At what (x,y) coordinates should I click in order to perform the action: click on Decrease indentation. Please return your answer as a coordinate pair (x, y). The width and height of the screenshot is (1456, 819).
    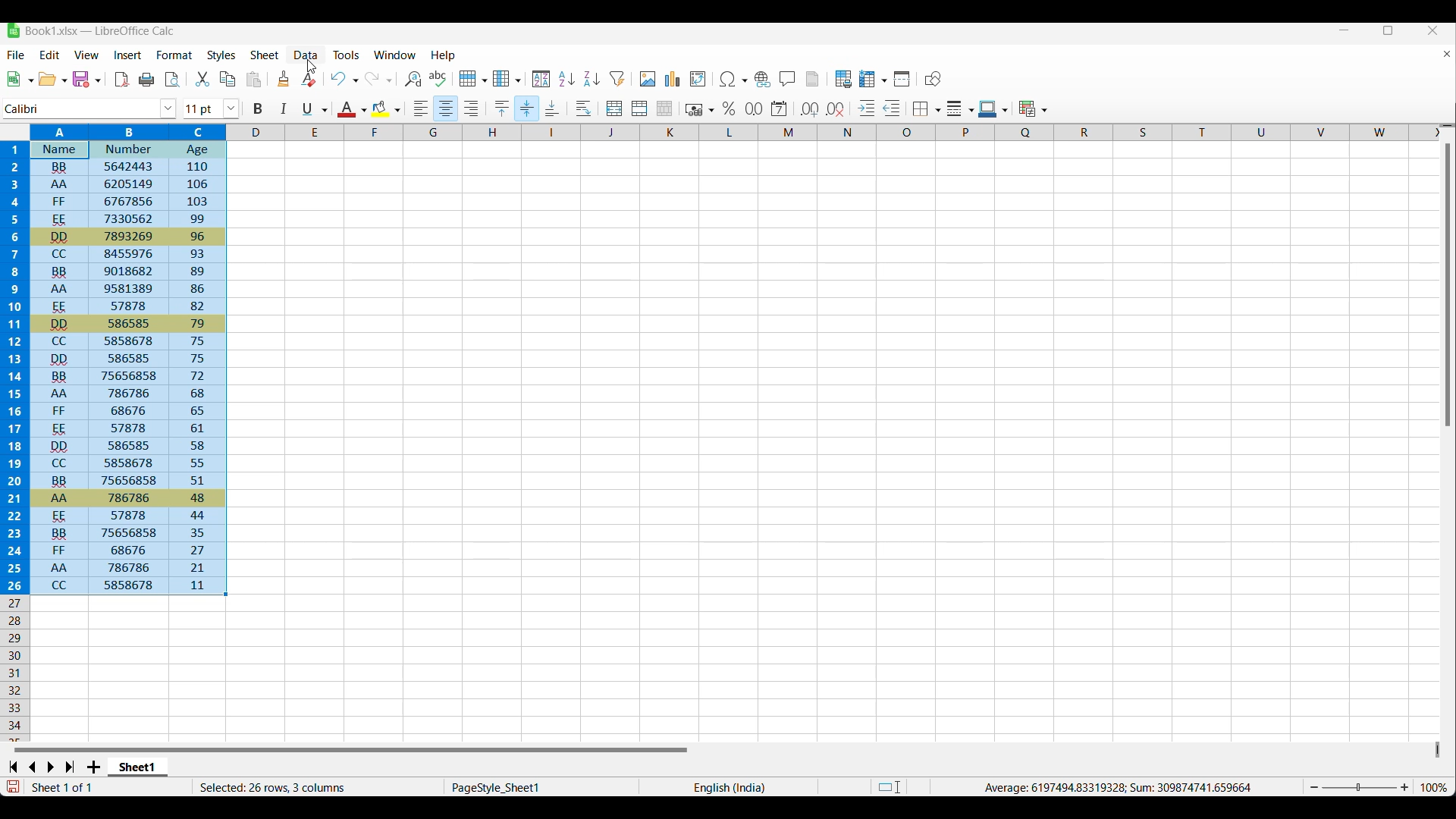
    Looking at the image, I should click on (893, 108).